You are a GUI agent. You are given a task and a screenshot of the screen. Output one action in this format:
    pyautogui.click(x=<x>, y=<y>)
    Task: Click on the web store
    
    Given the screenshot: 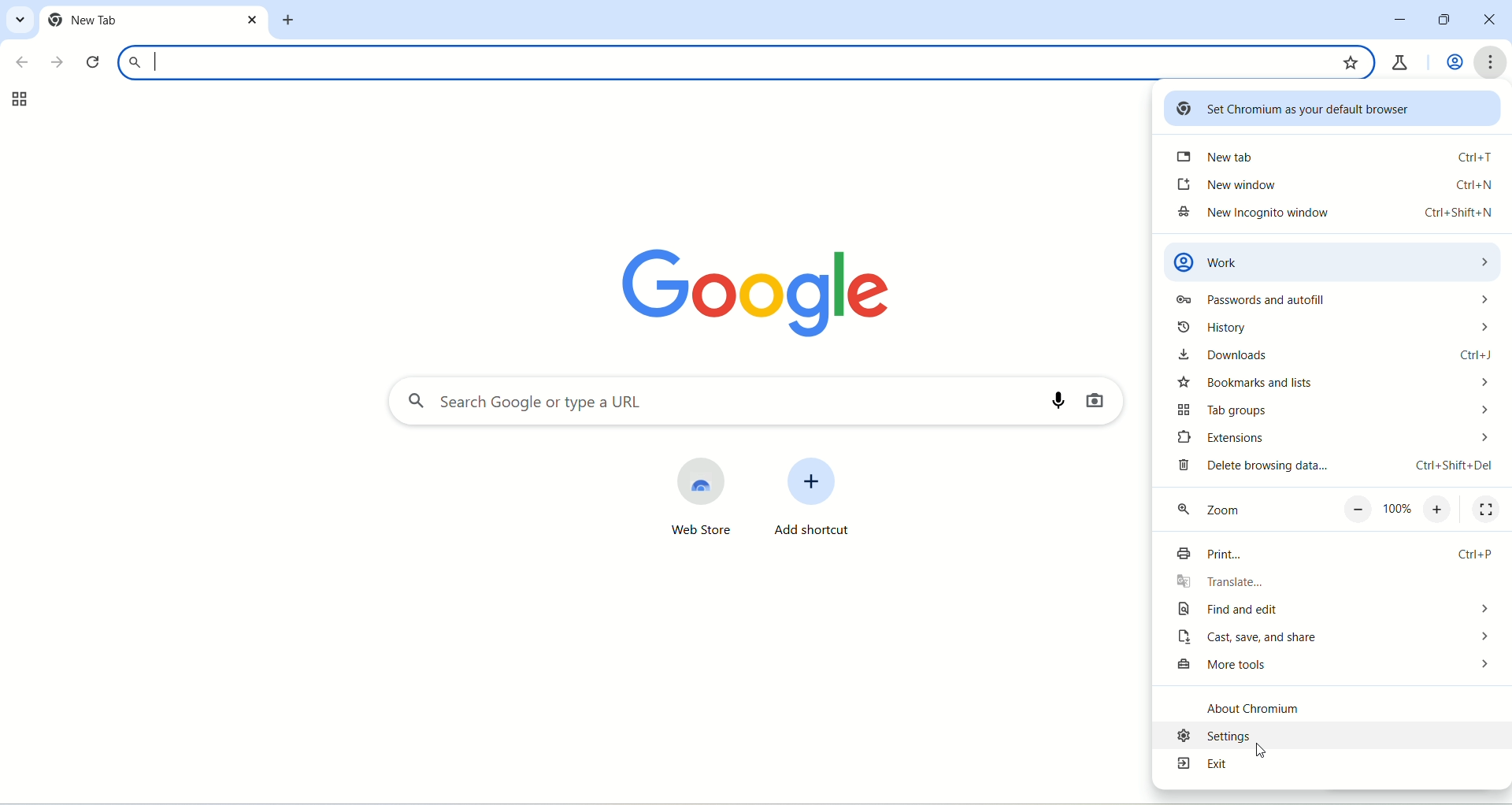 What is the action you would take?
    pyautogui.click(x=693, y=503)
    